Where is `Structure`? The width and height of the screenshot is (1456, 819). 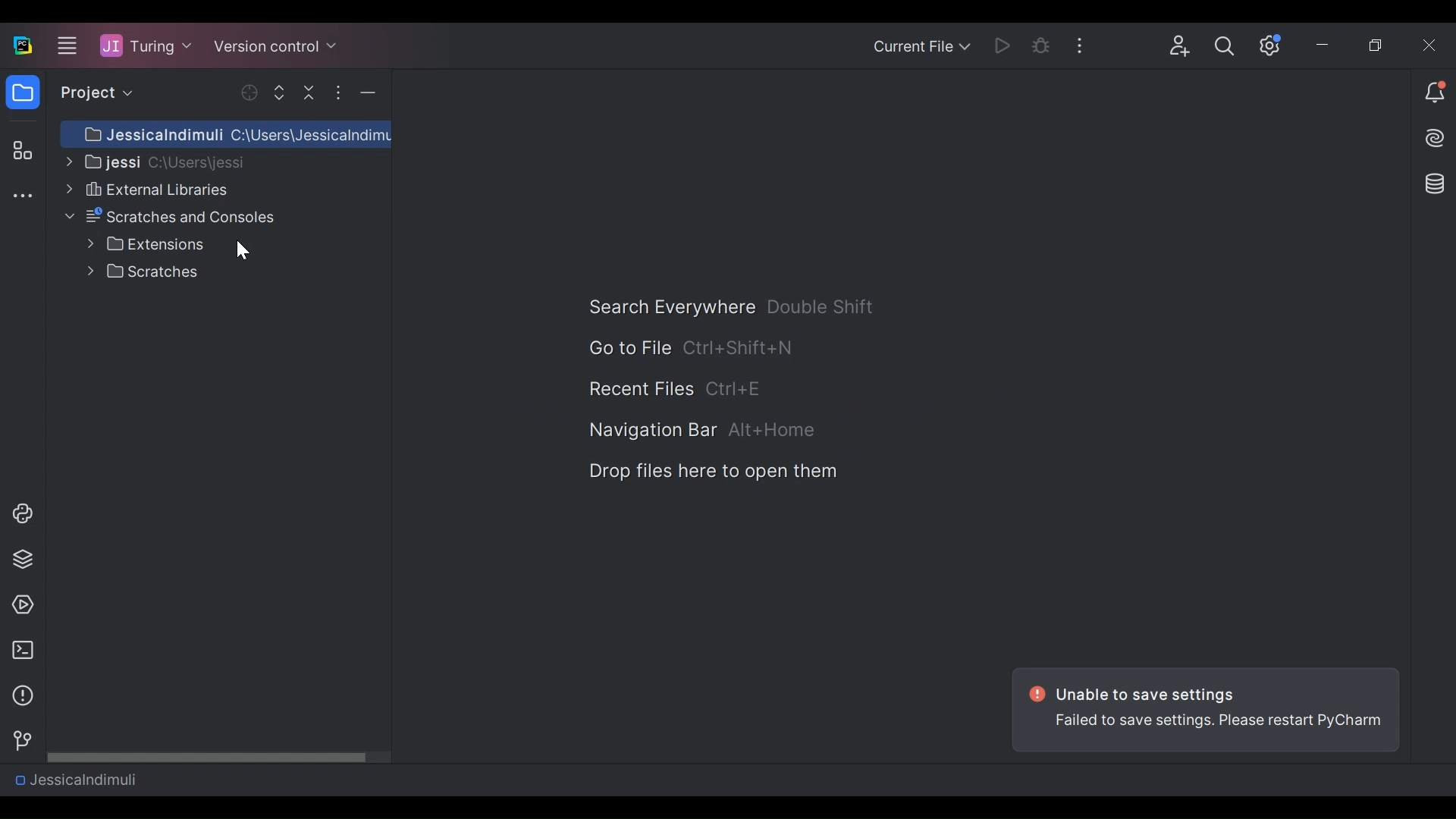
Structure is located at coordinates (20, 152).